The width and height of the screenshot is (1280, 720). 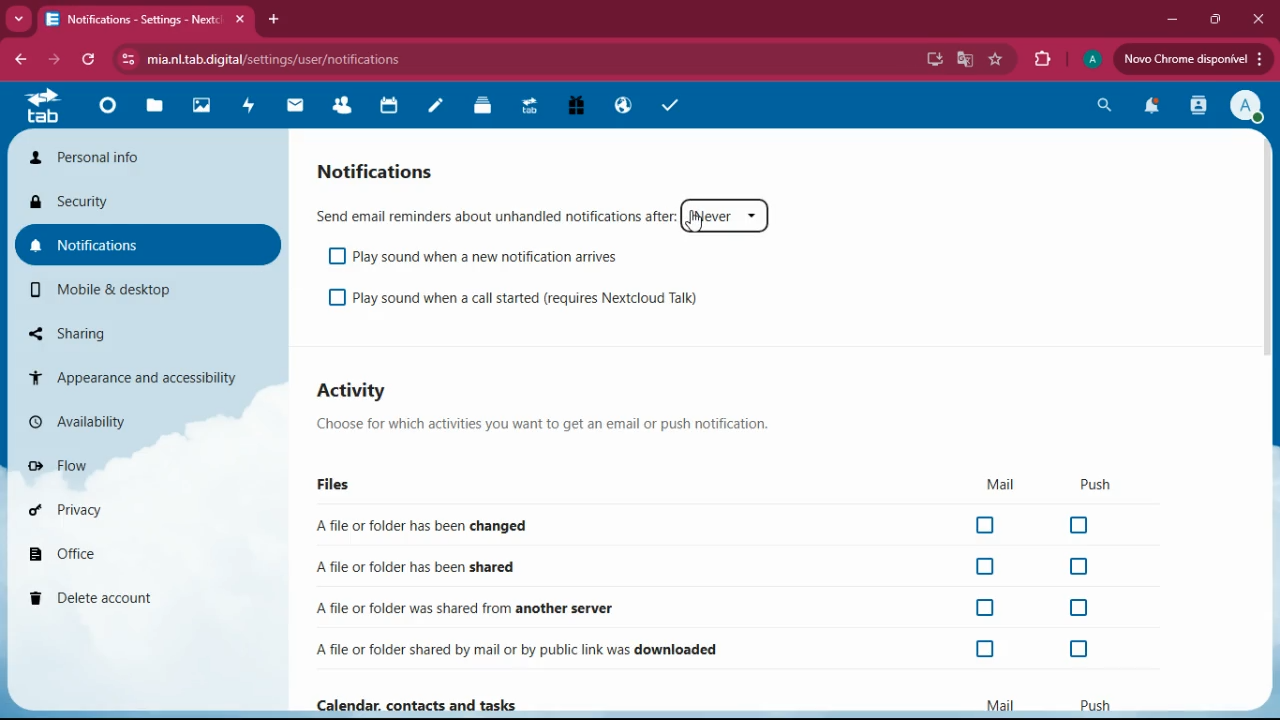 What do you see at coordinates (346, 107) in the screenshot?
I see `friends` at bounding box center [346, 107].